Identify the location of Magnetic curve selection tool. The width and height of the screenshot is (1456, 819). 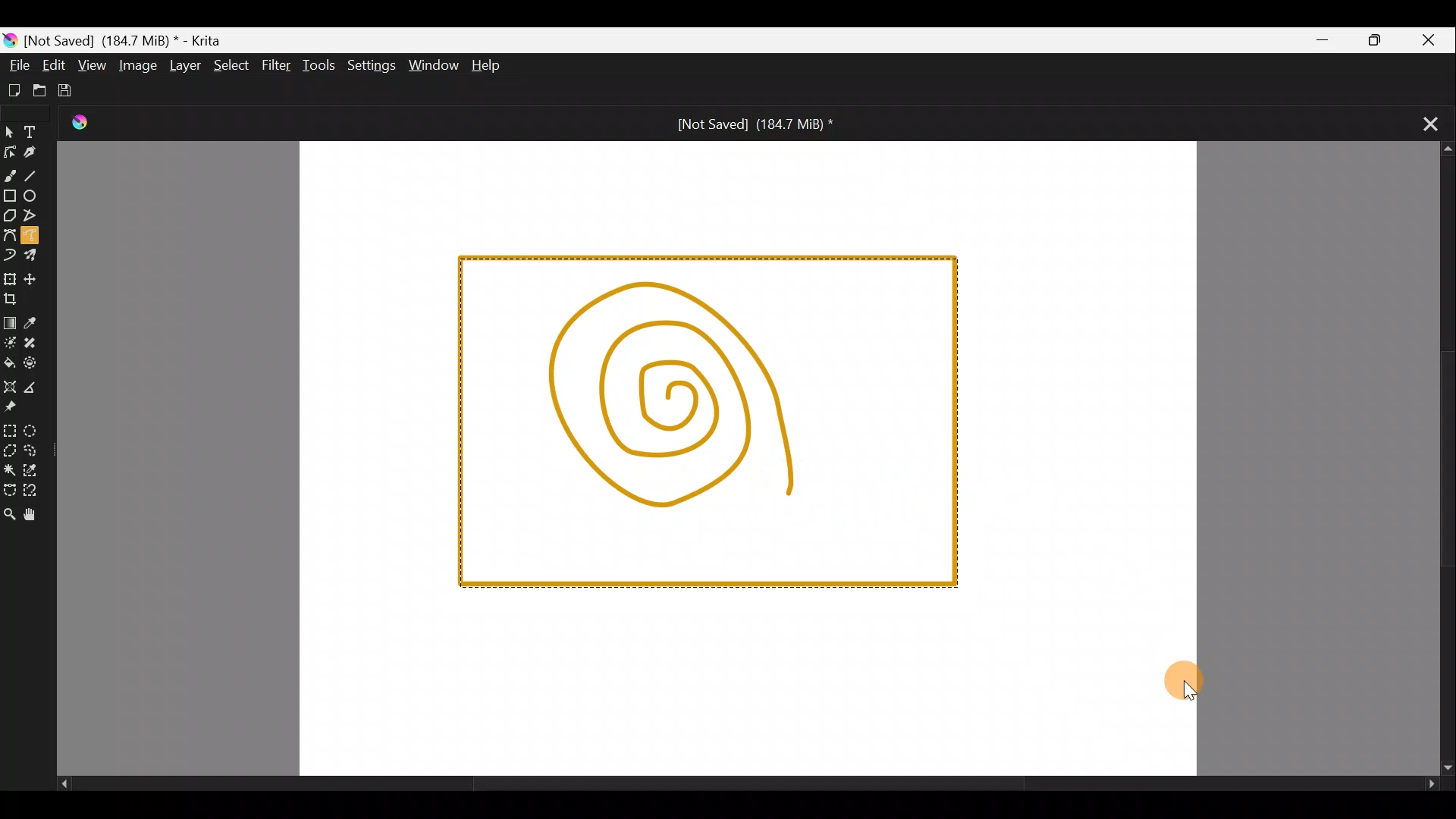
(35, 492).